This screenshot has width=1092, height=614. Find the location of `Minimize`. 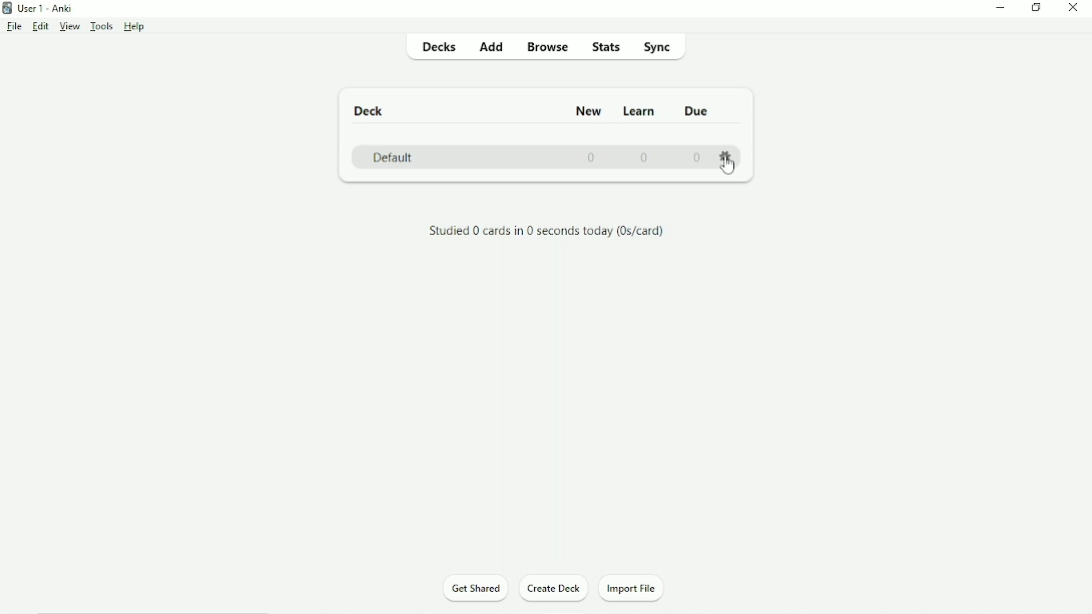

Minimize is located at coordinates (1000, 10).